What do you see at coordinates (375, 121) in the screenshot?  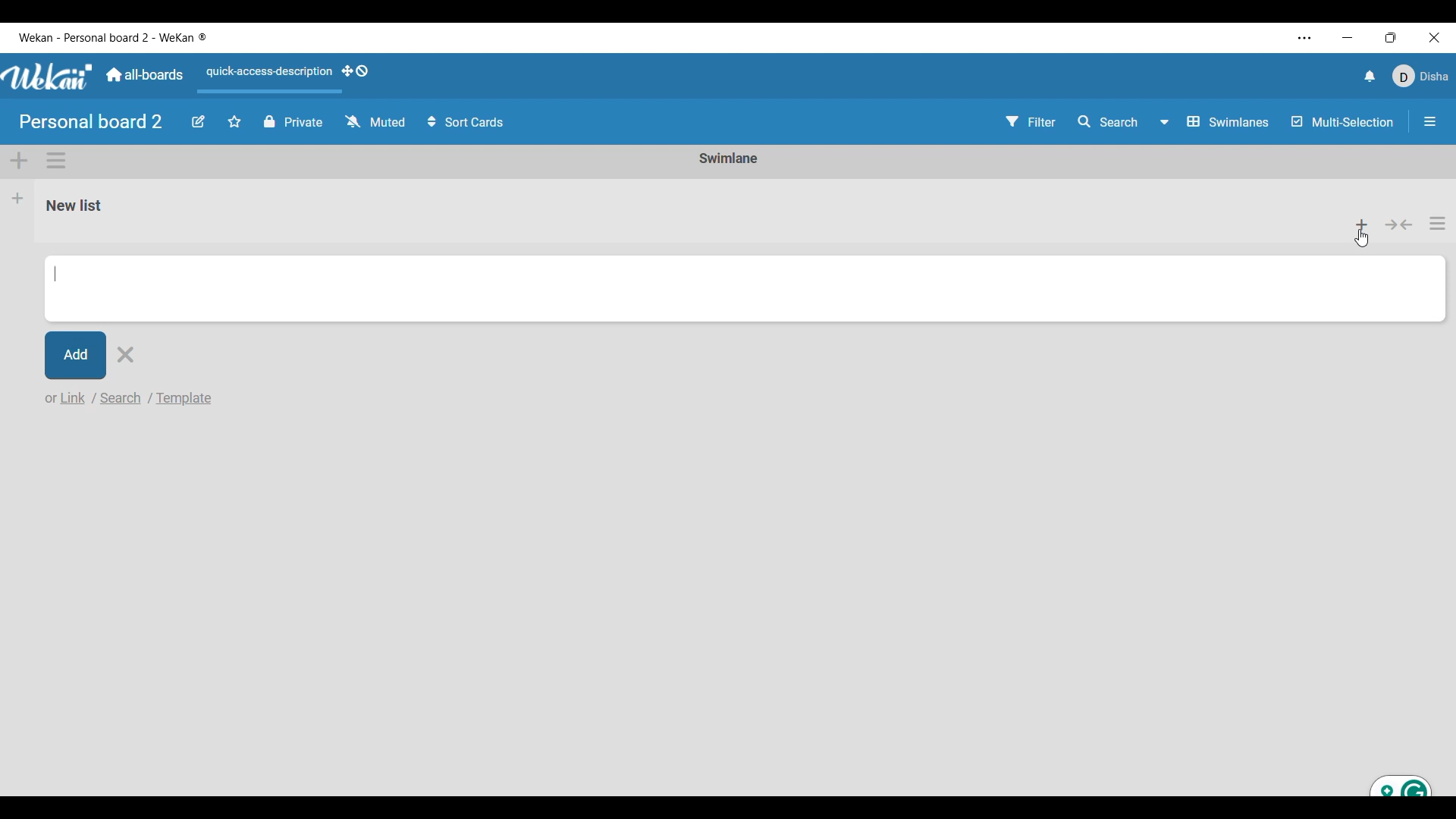 I see `Watch options` at bounding box center [375, 121].